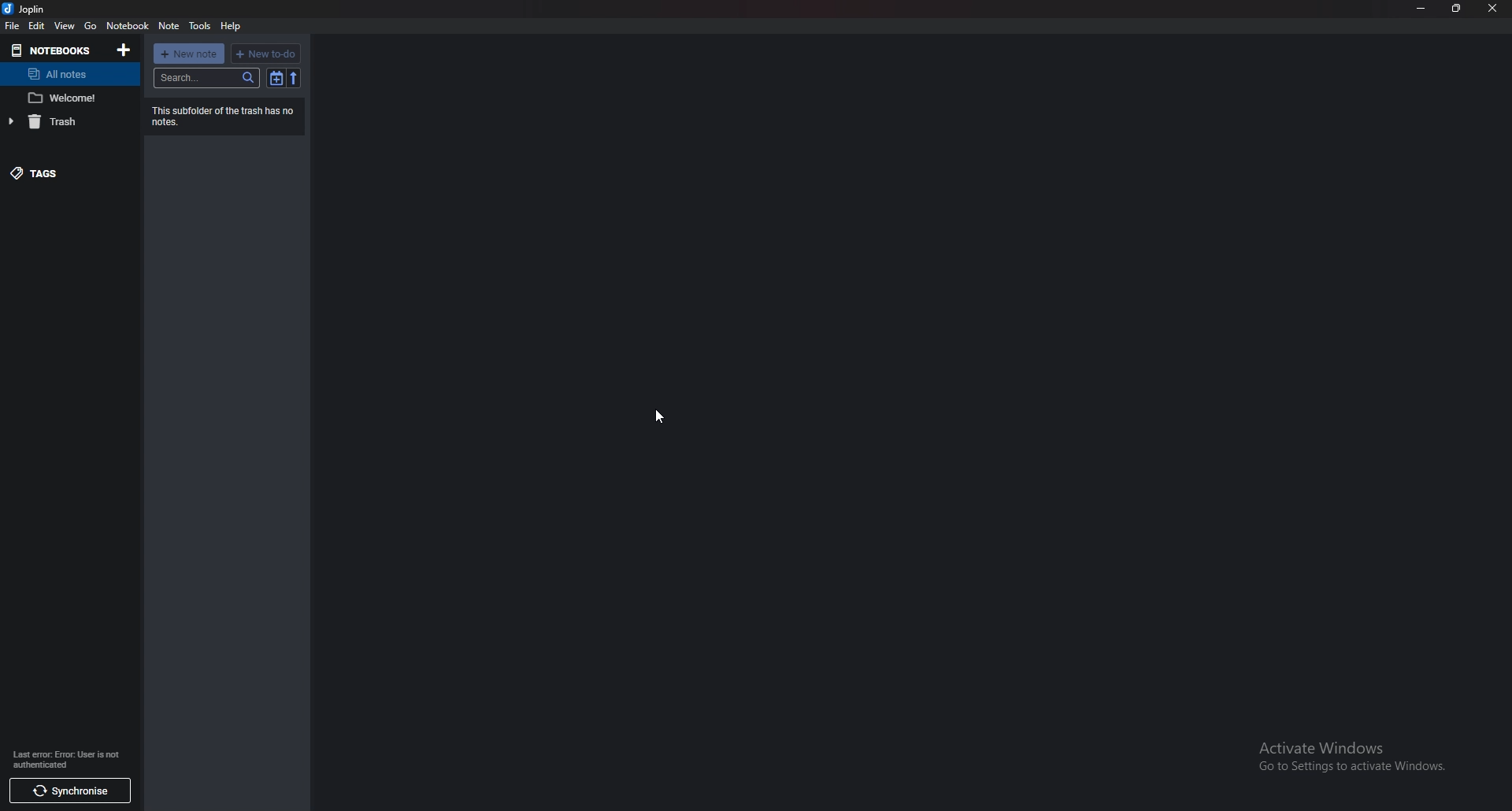  Describe the element at coordinates (1421, 8) in the screenshot. I see `minimize` at that location.